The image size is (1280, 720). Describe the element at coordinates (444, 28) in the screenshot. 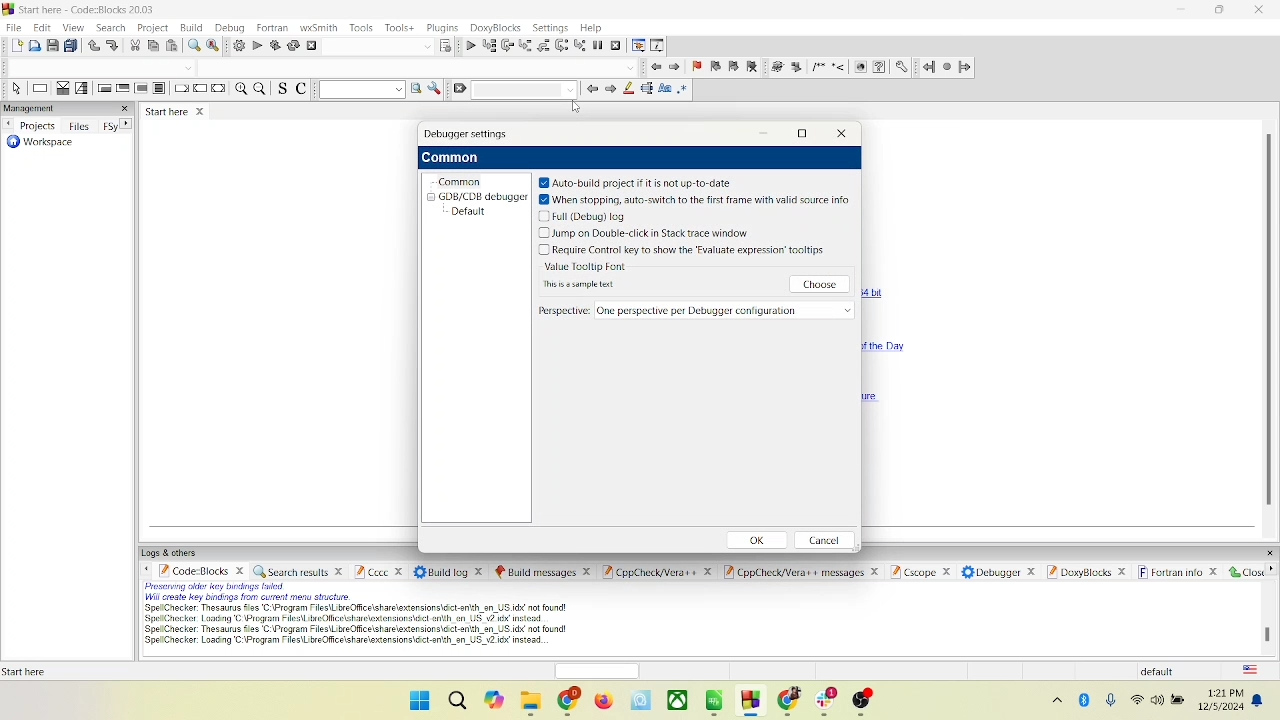

I see `plugins` at that location.